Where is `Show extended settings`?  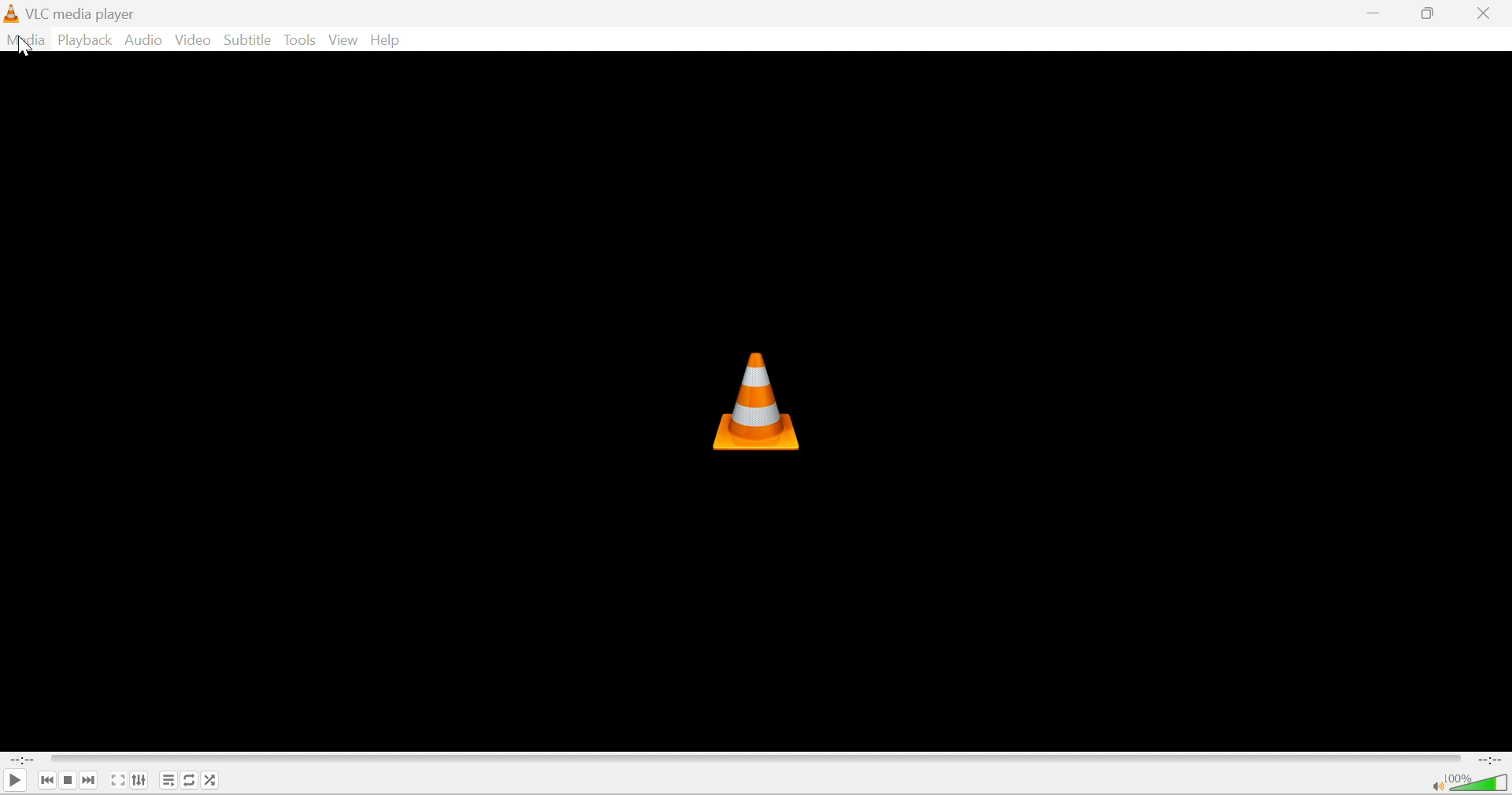
Show extended settings is located at coordinates (141, 780).